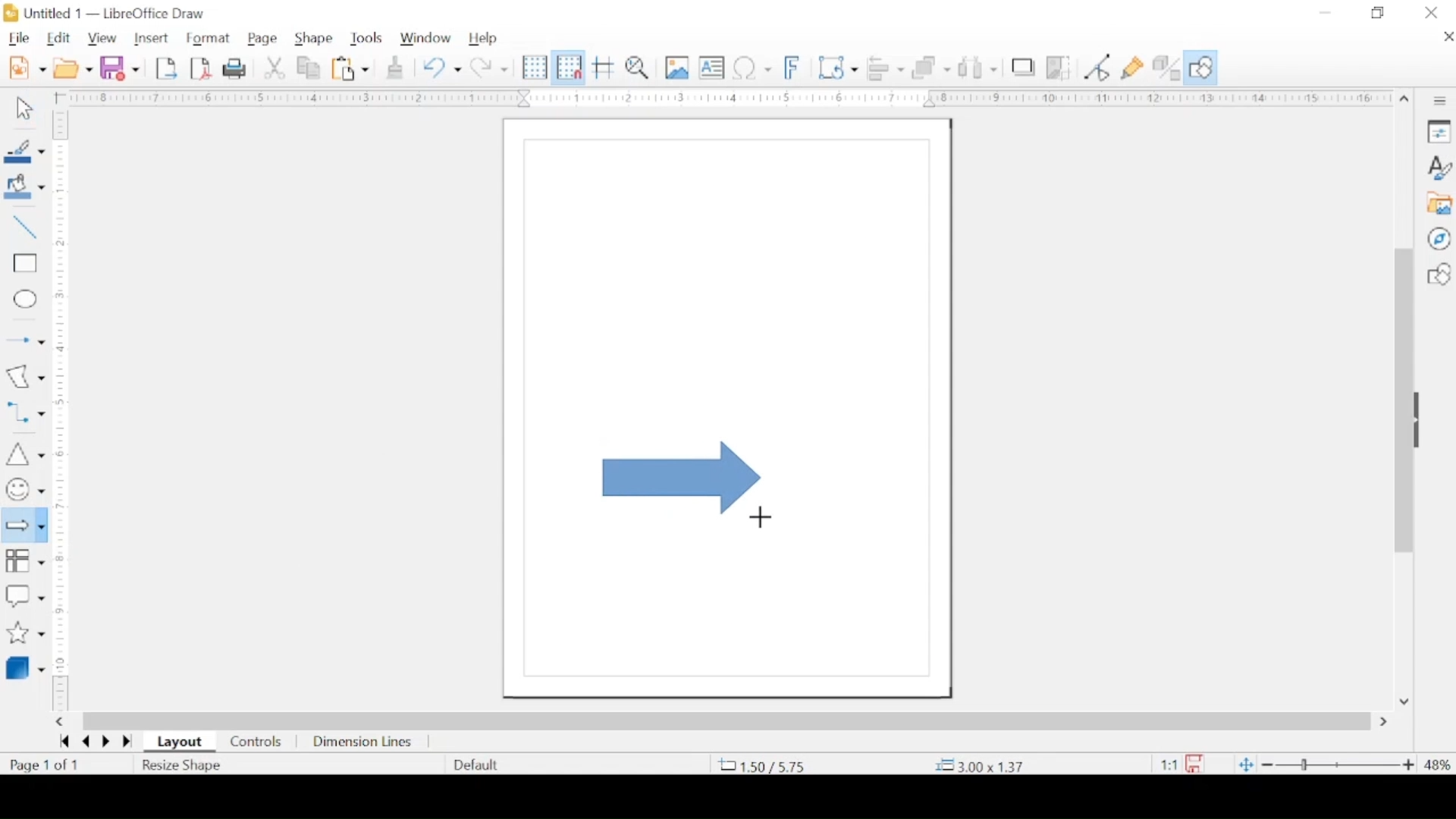 The image size is (1456, 819). What do you see at coordinates (27, 301) in the screenshot?
I see `ellipse` at bounding box center [27, 301].